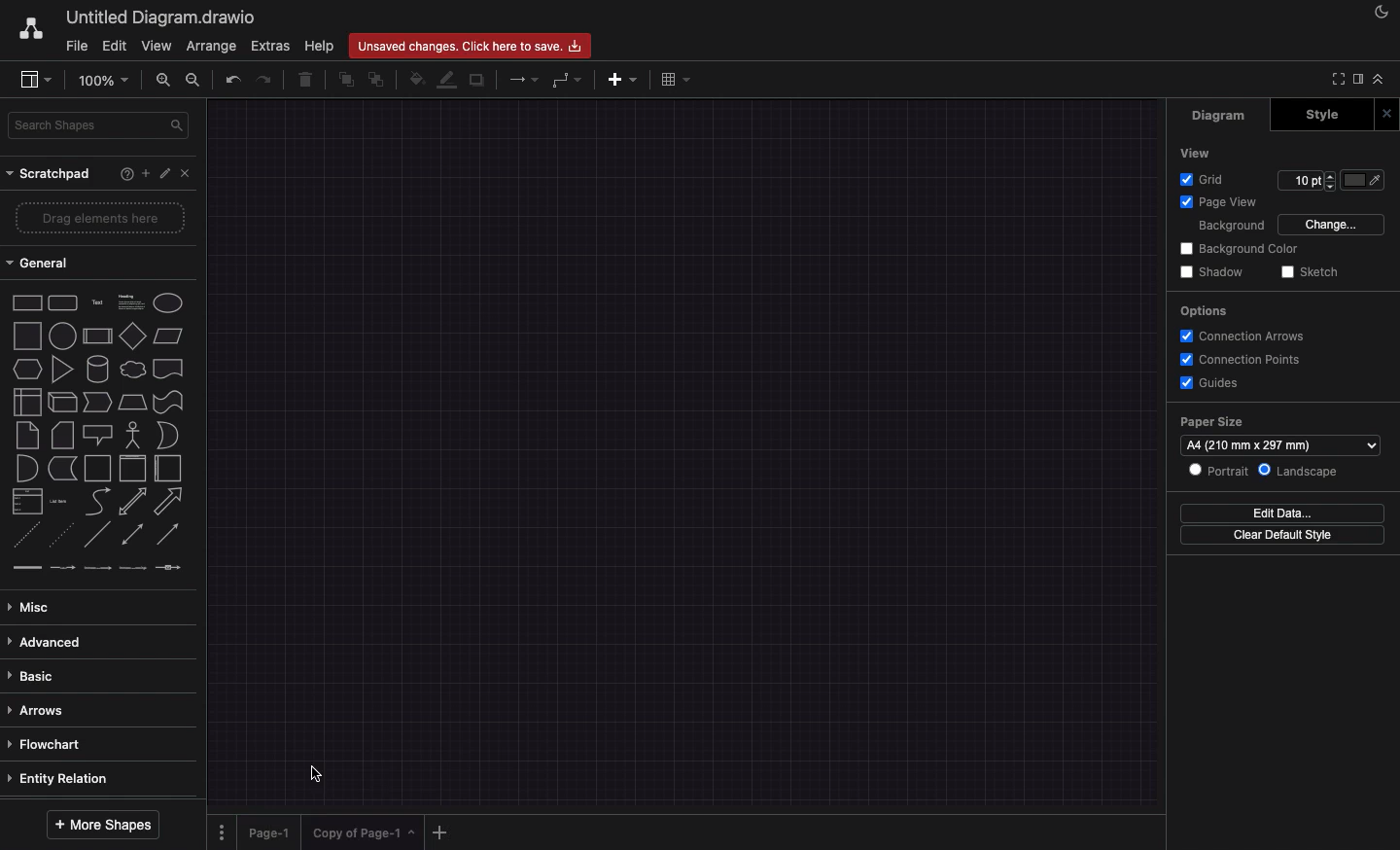 The image size is (1400, 850). What do you see at coordinates (96, 502) in the screenshot?
I see `curve` at bounding box center [96, 502].